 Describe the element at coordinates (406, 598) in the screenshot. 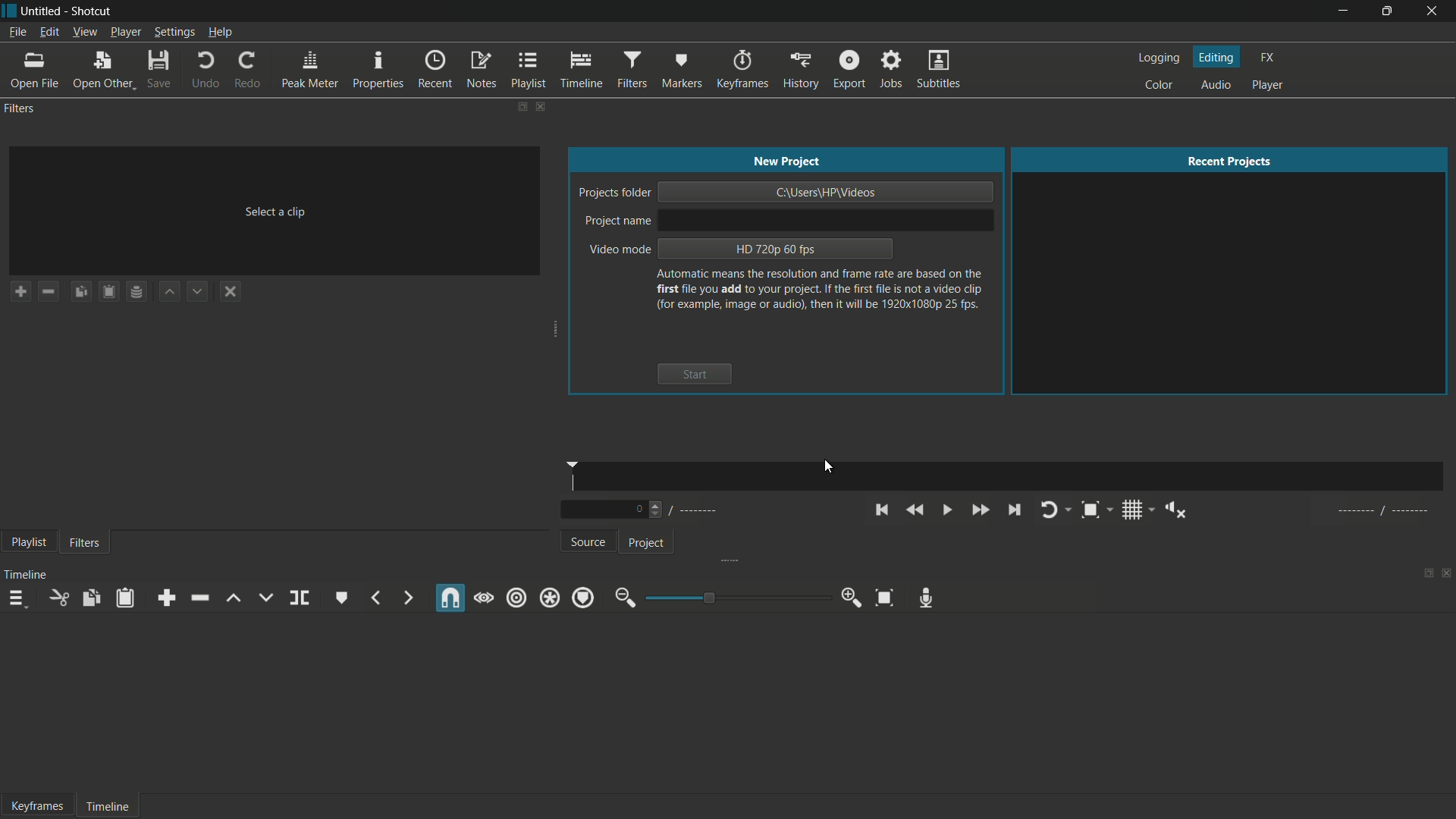

I see `next marker` at that location.